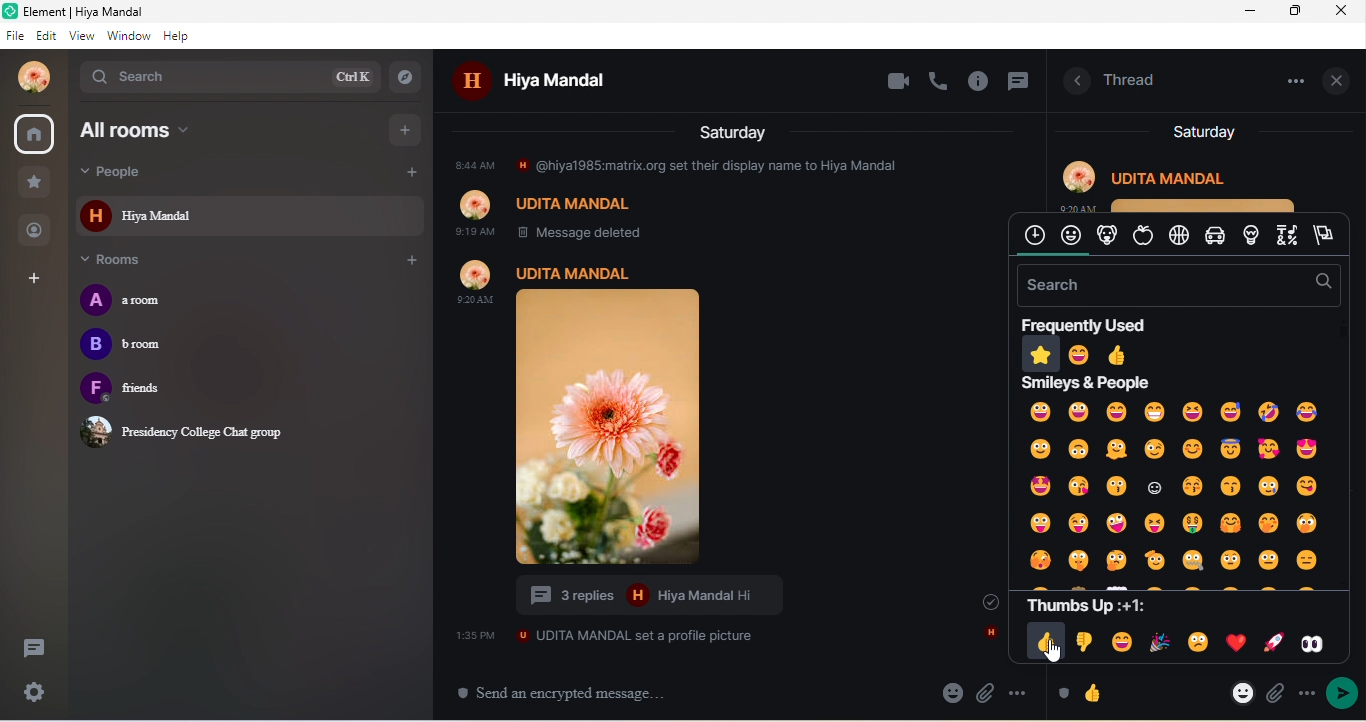 This screenshot has height=722, width=1366. I want to click on close, so click(1340, 79).